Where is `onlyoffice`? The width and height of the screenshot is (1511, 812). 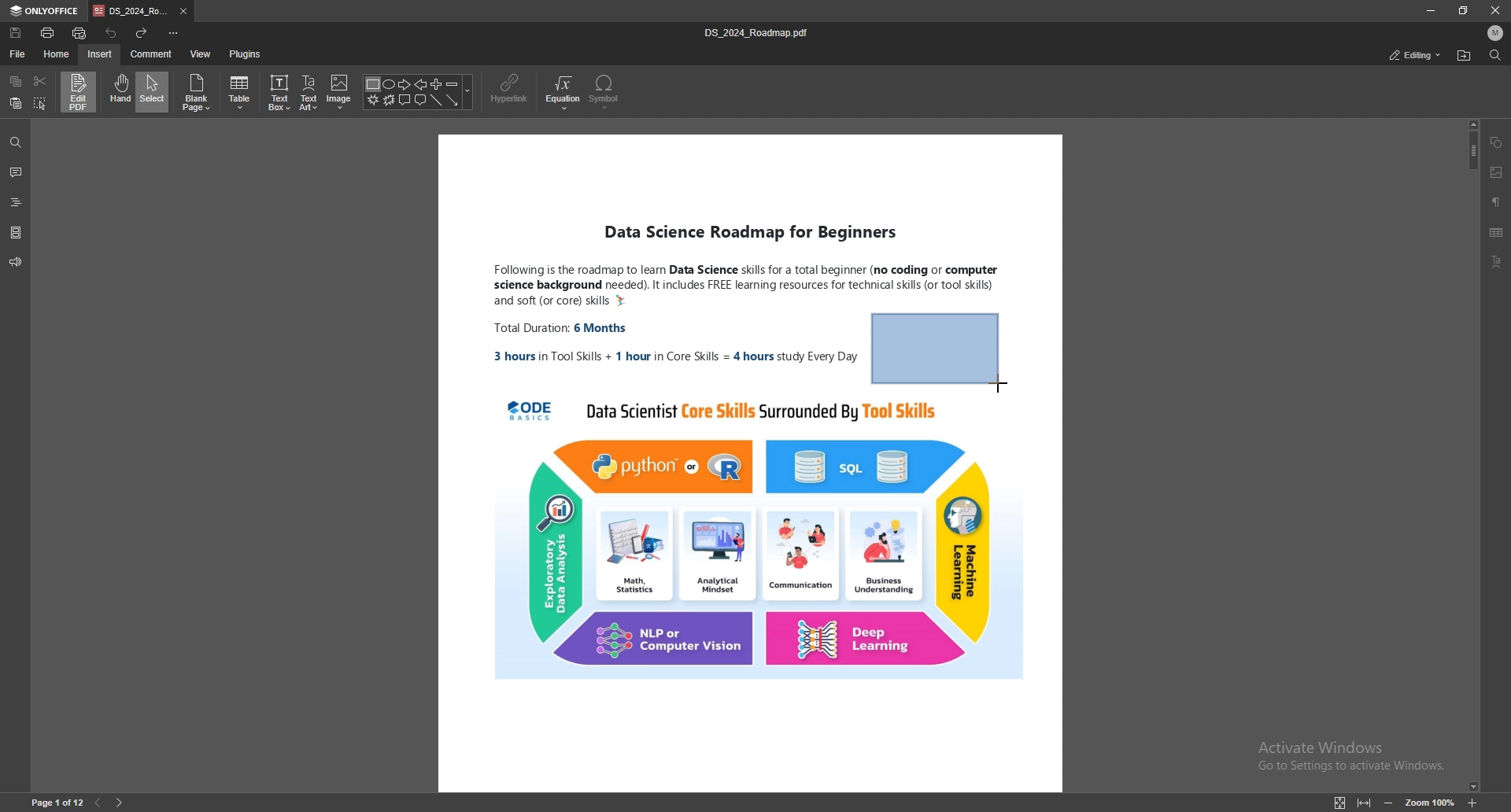
onlyoffice is located at coordinates (46, 11).